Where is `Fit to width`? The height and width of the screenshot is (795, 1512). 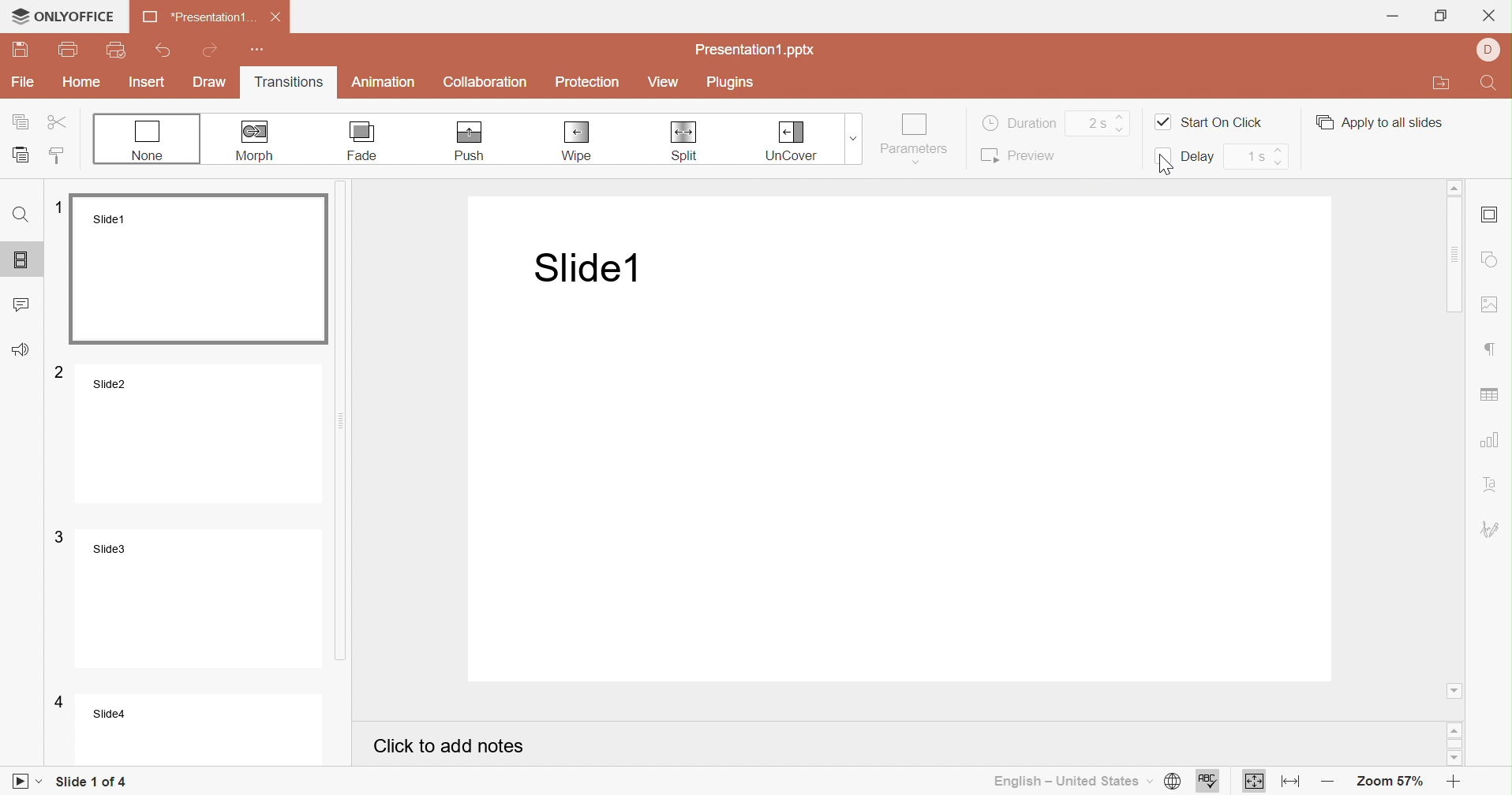
Fit to width is located at coordinates (1287, 782).